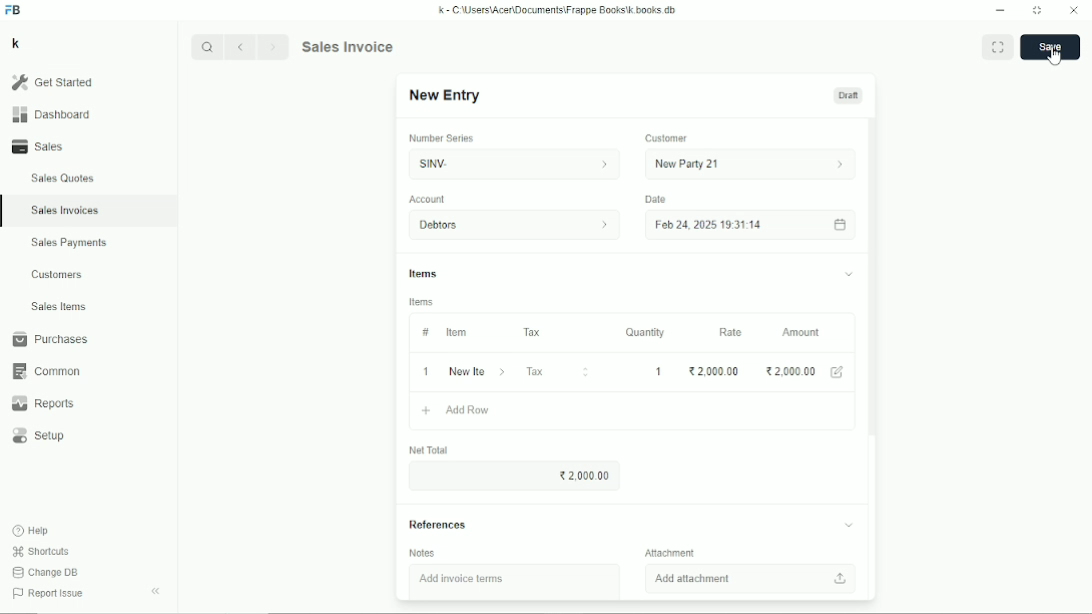 The image size is (1092, 614). I want to click on Date, so click(655, 199).